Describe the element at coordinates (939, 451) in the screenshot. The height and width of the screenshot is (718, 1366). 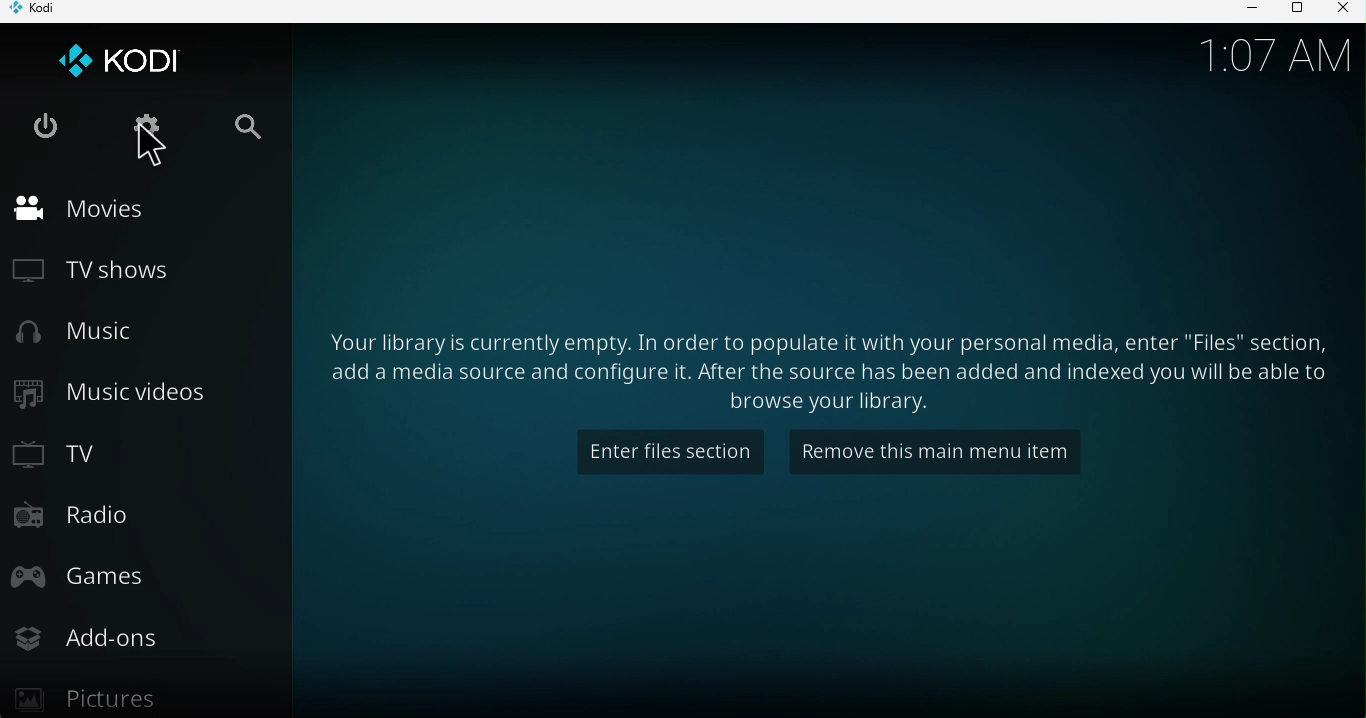
I see `Remove this main menu item` at that location.